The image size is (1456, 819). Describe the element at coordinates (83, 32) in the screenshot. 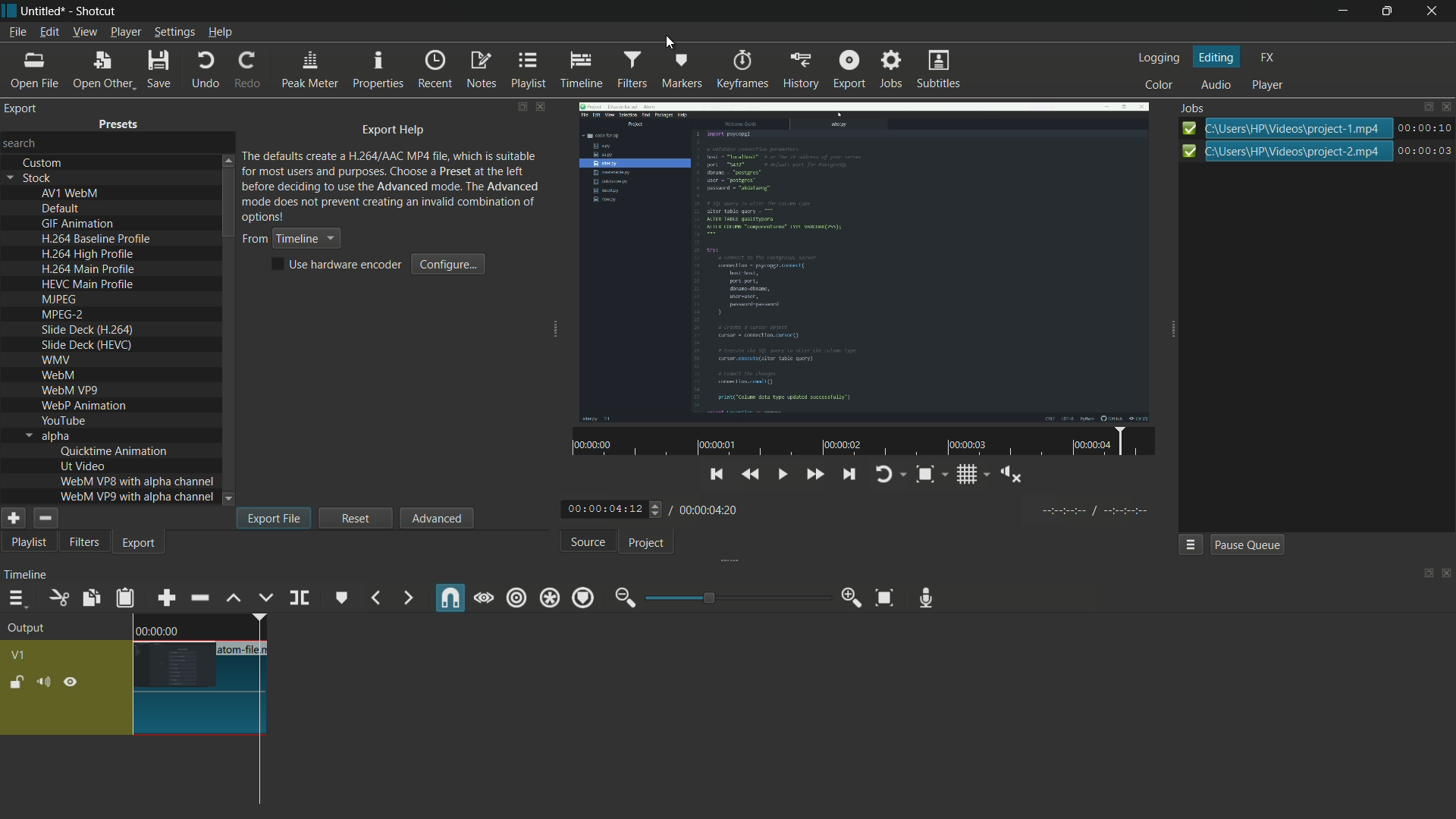

I see `view menu` at that location.